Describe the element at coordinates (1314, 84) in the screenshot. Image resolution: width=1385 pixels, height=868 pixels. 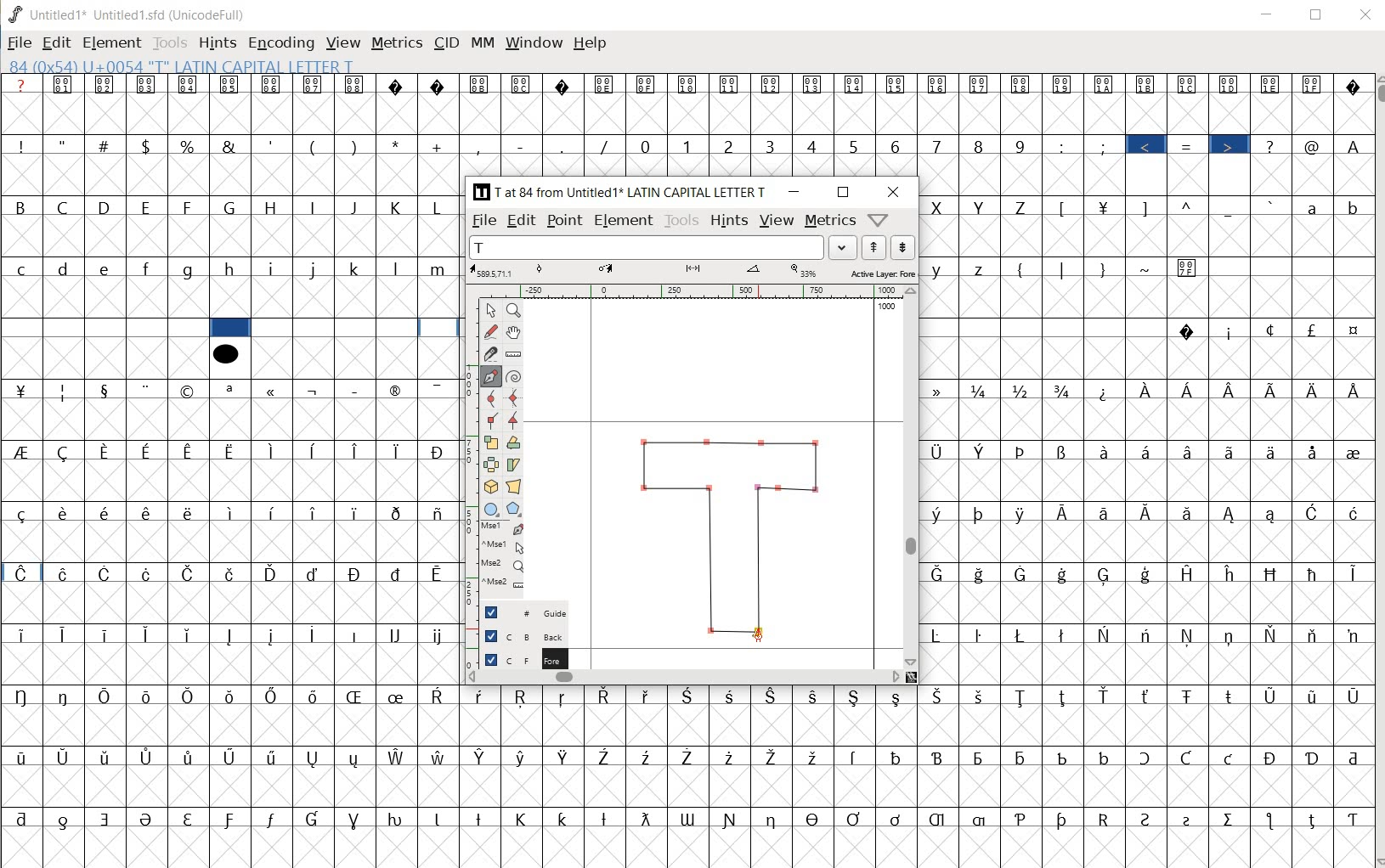
I see `Symbol` at that location.